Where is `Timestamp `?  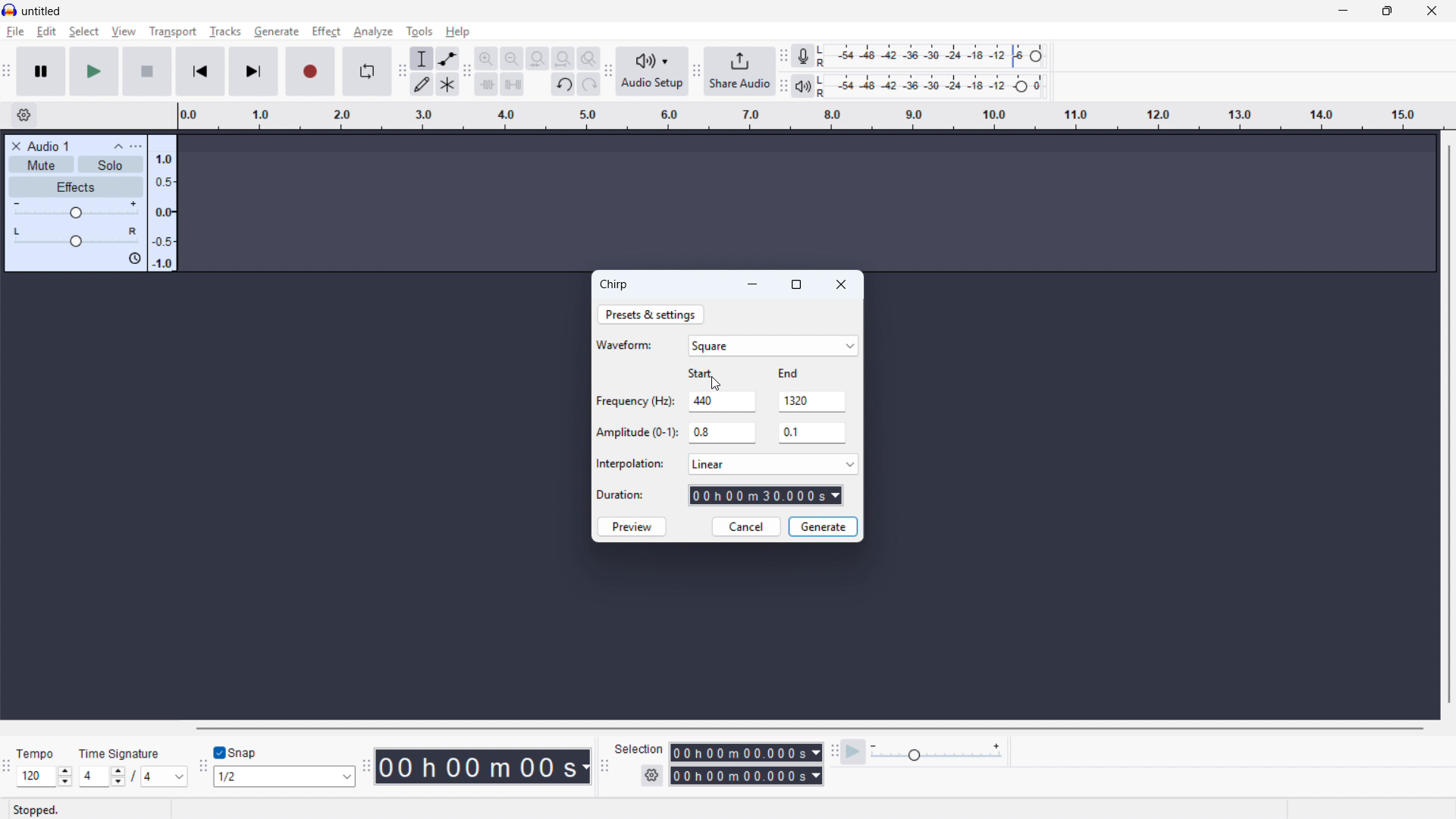 Timestamp  is located at coordinates (483, 767).